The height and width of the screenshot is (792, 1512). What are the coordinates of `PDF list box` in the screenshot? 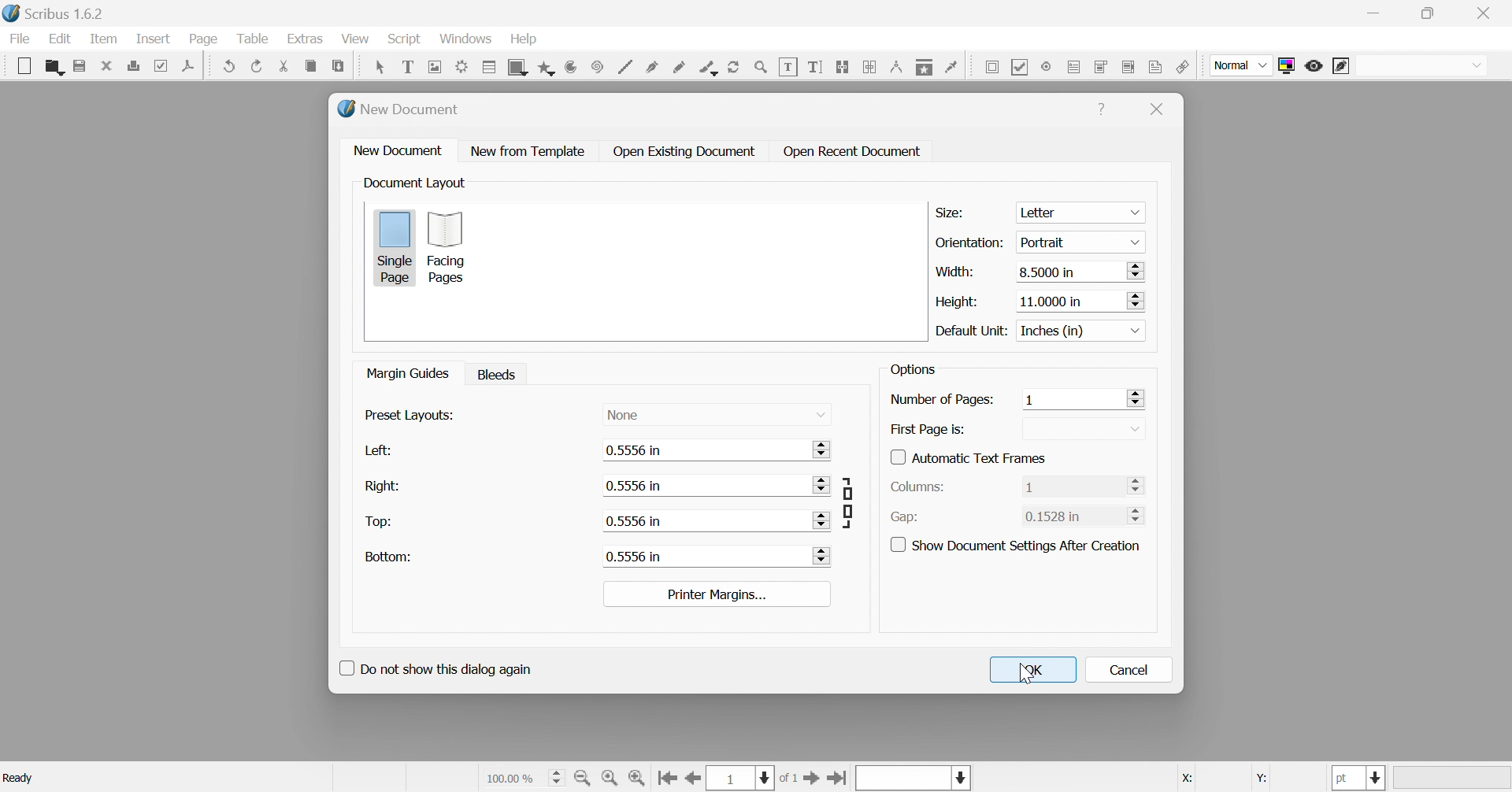 It's located at (1129, 65).